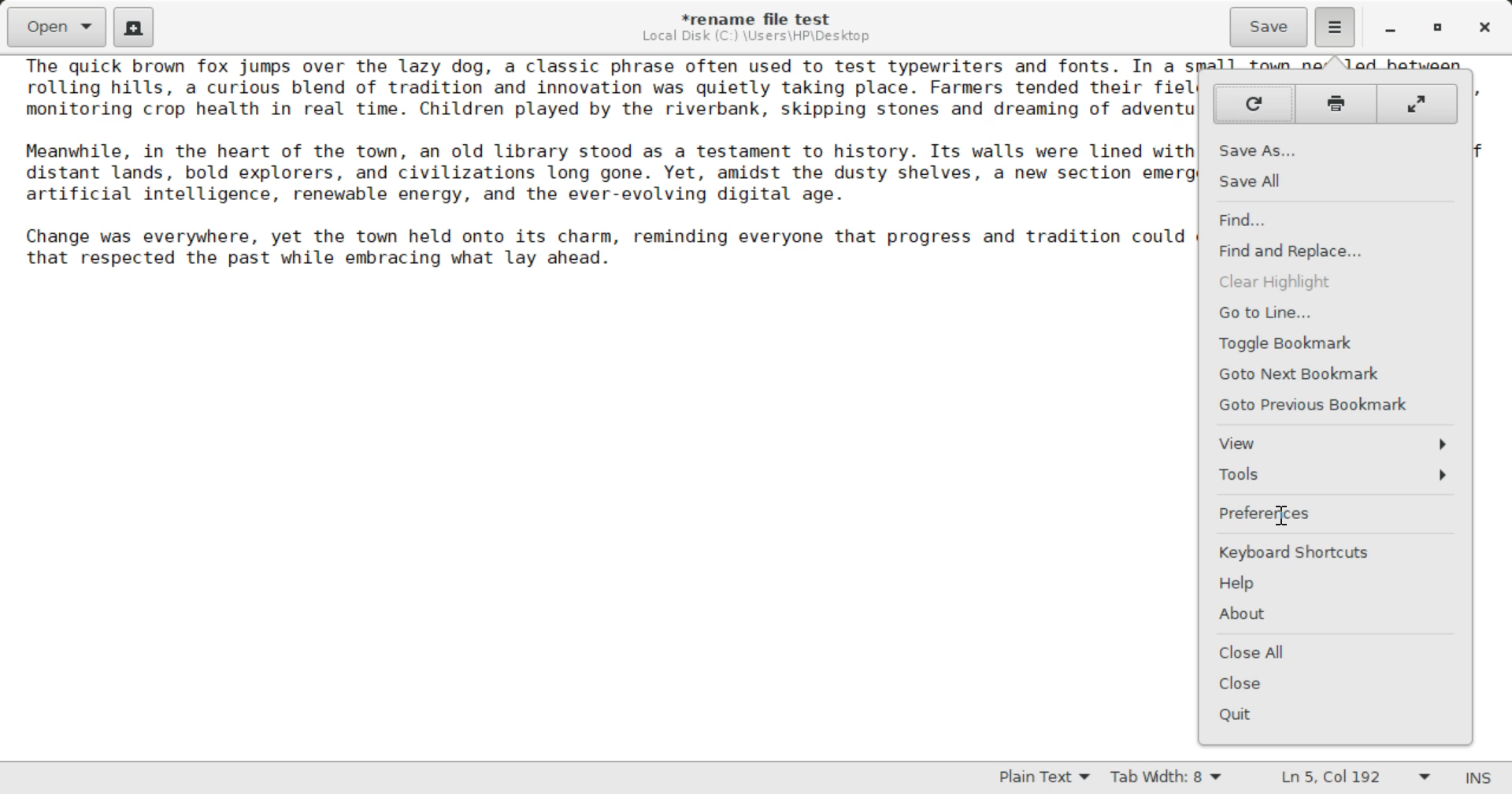  Describe the element at coordinates (1356, 779) in the screenshot. I see `Line & Character Count` at that location.